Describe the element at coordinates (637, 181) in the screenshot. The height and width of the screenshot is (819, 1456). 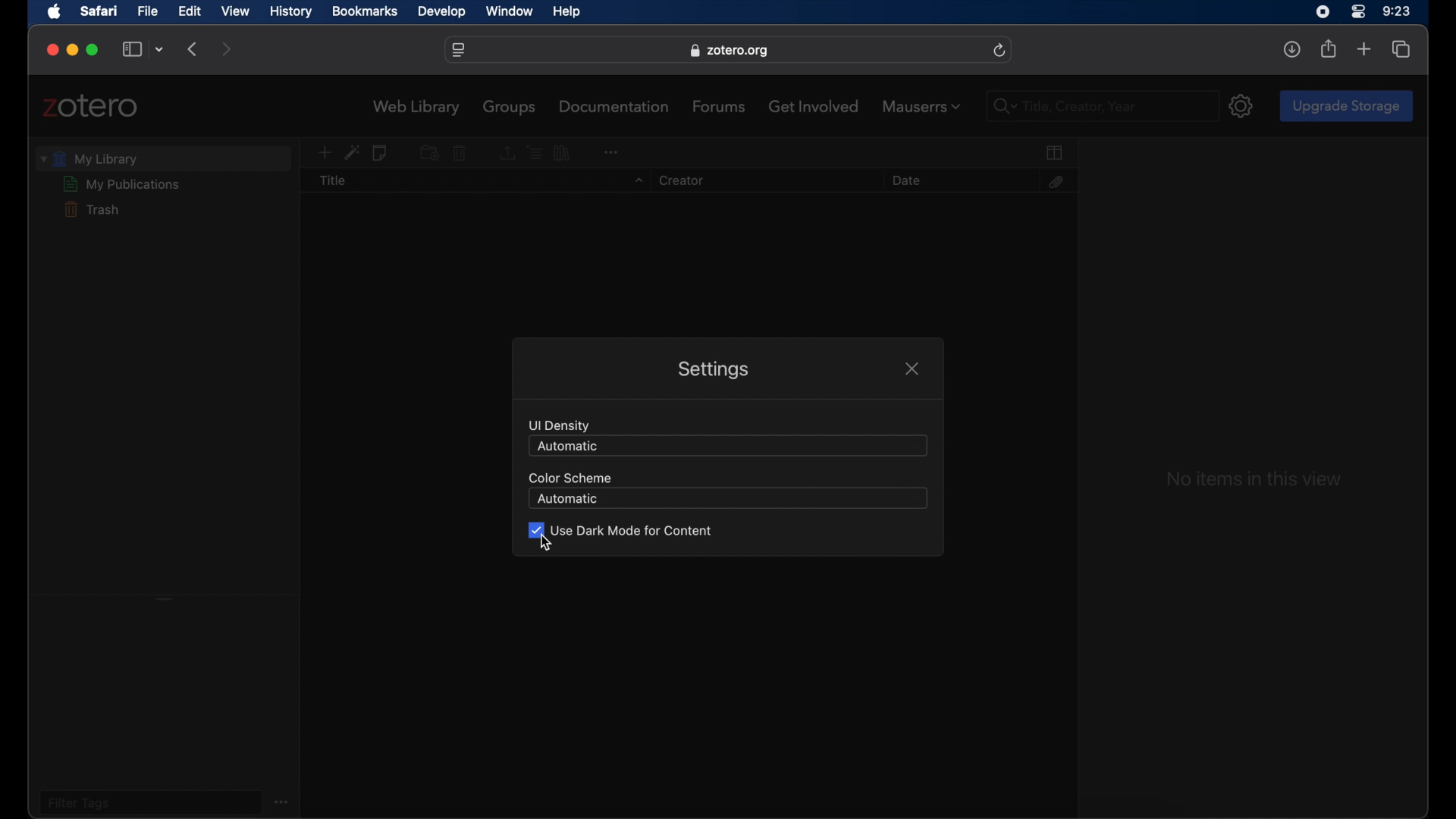
I see `dropdown` at that location.